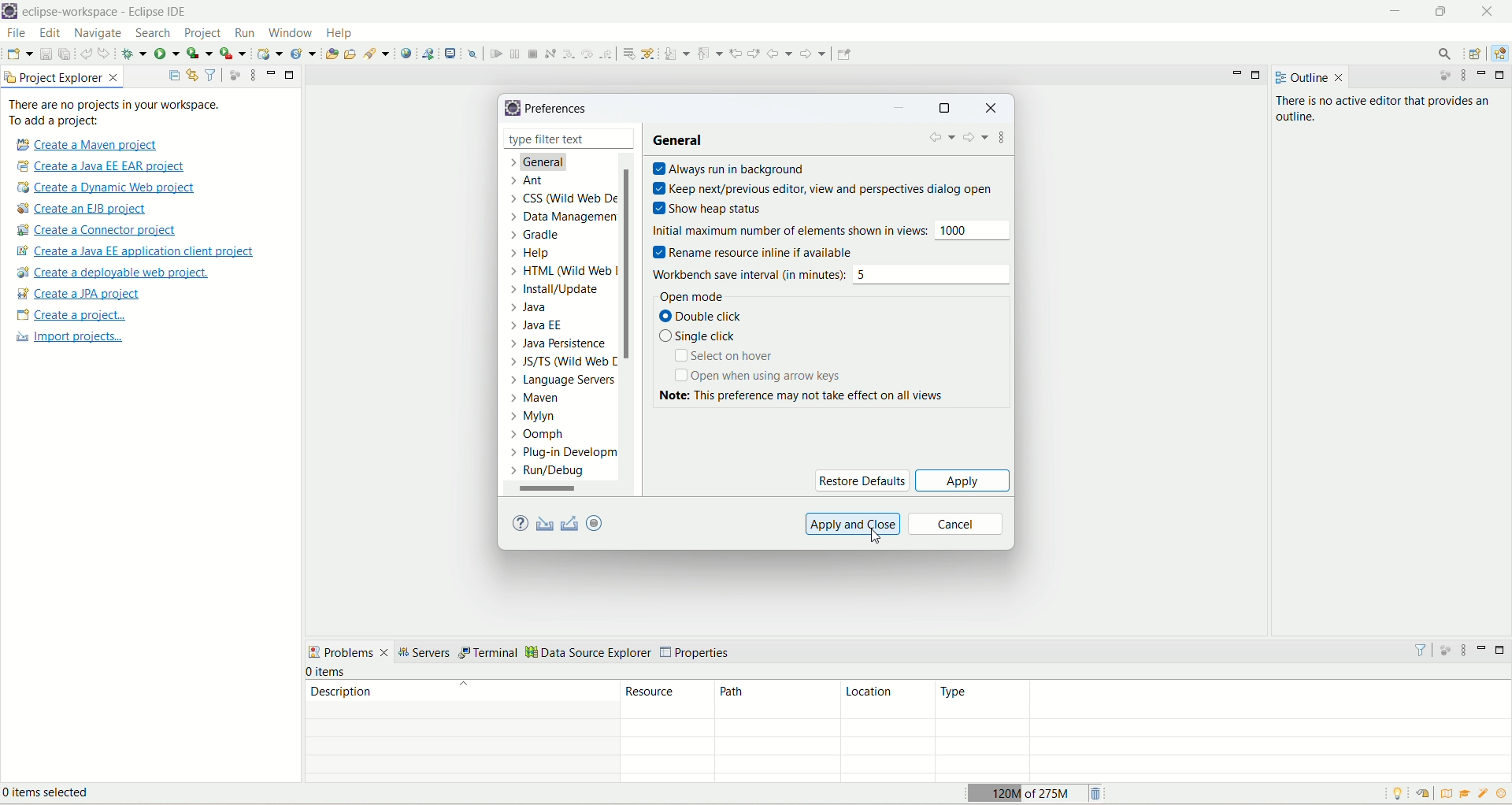 The height and width of the screenshot is (805, 1512). I want to click on cancel, so click(957, 524).